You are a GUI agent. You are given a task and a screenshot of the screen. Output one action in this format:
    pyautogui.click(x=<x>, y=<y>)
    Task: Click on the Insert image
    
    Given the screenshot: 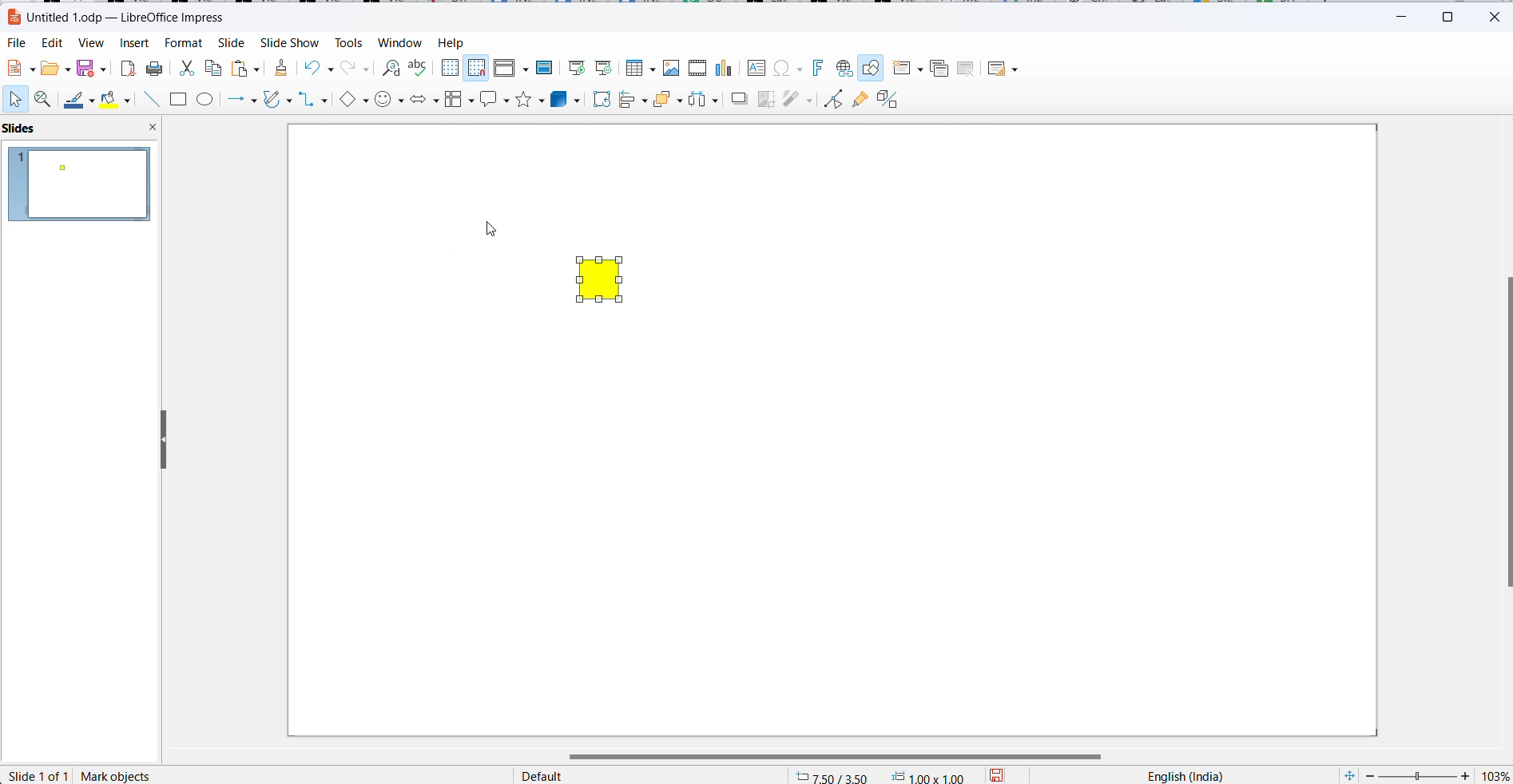 What is the action you would take?
    pyautogui.click(x=673, y=68)
    